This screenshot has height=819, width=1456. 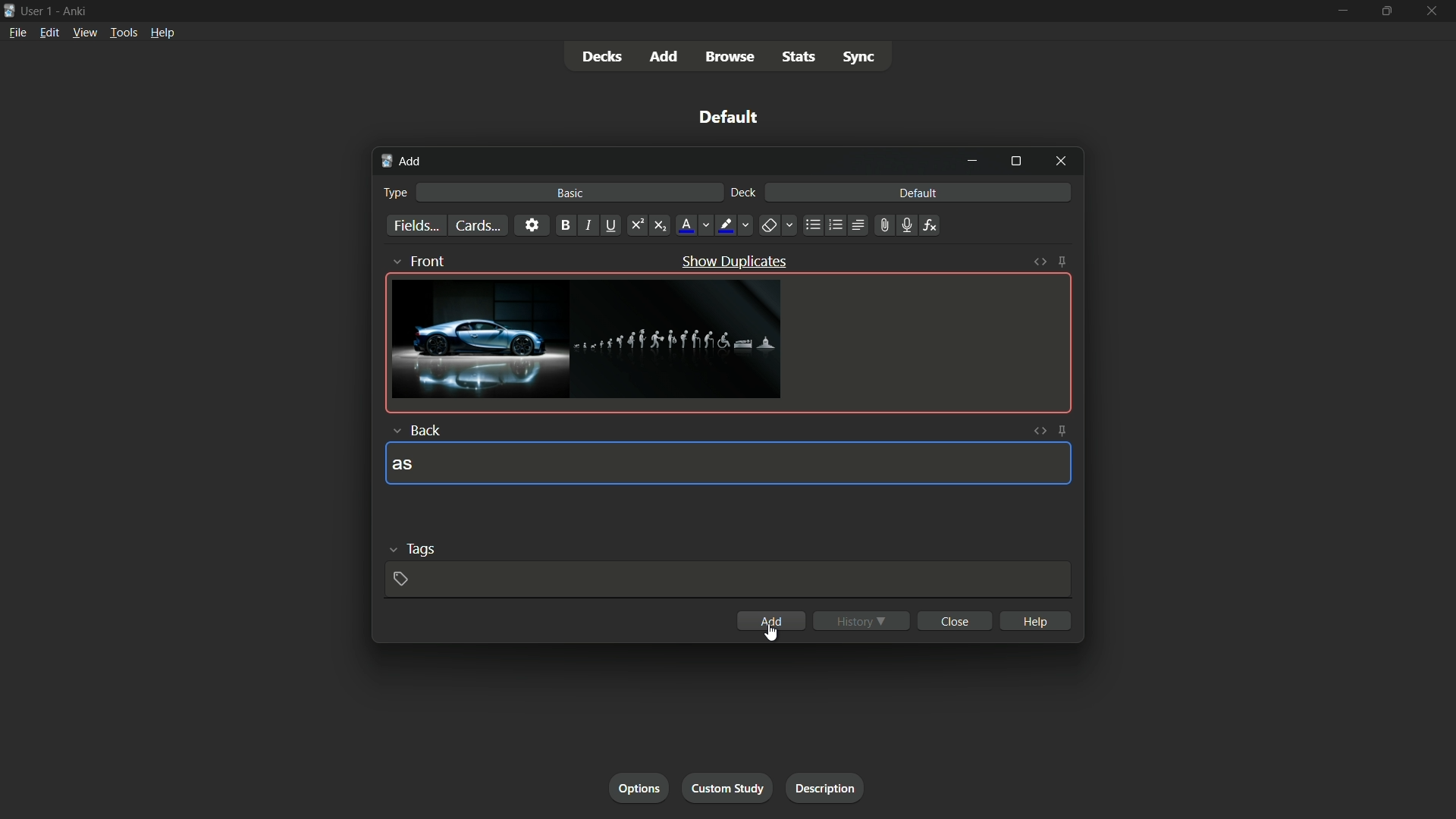 I want to click on toggle sticky, so click(x=1064, y=430).